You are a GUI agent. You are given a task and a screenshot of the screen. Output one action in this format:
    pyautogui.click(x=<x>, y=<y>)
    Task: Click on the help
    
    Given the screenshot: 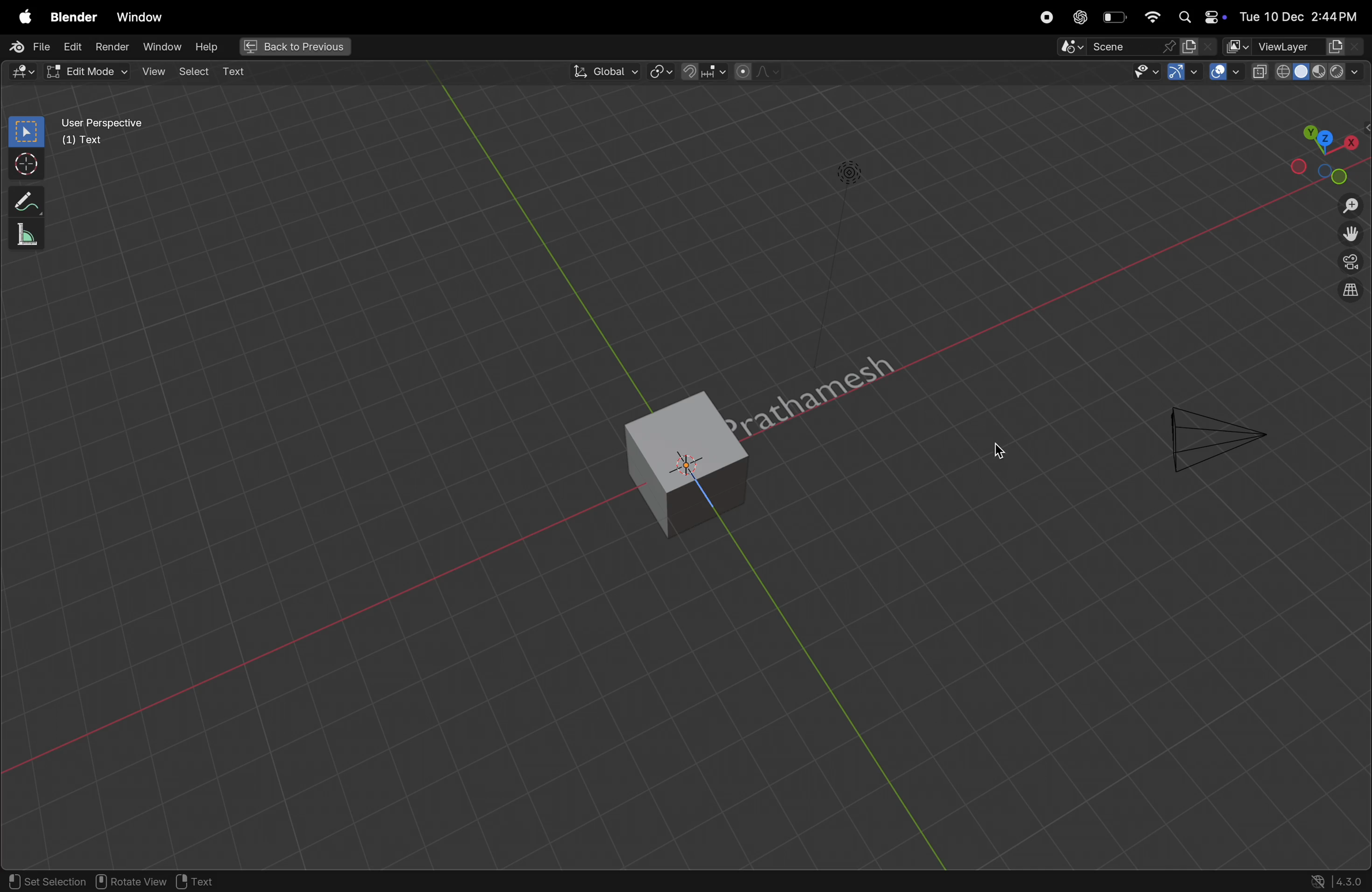 What is the action you would take?
    pyautogui.click(x=212, y=46)
    